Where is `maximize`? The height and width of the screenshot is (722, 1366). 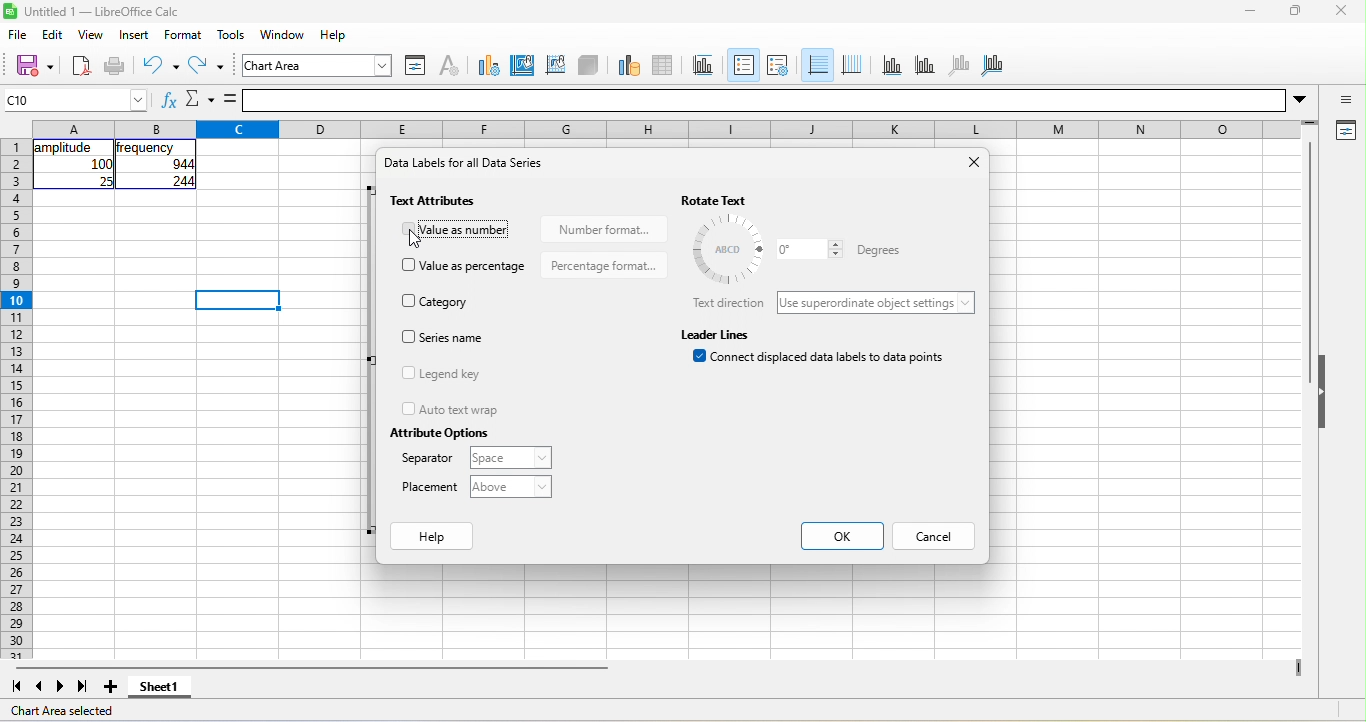 maximize is located at coordinates (1292, 13).